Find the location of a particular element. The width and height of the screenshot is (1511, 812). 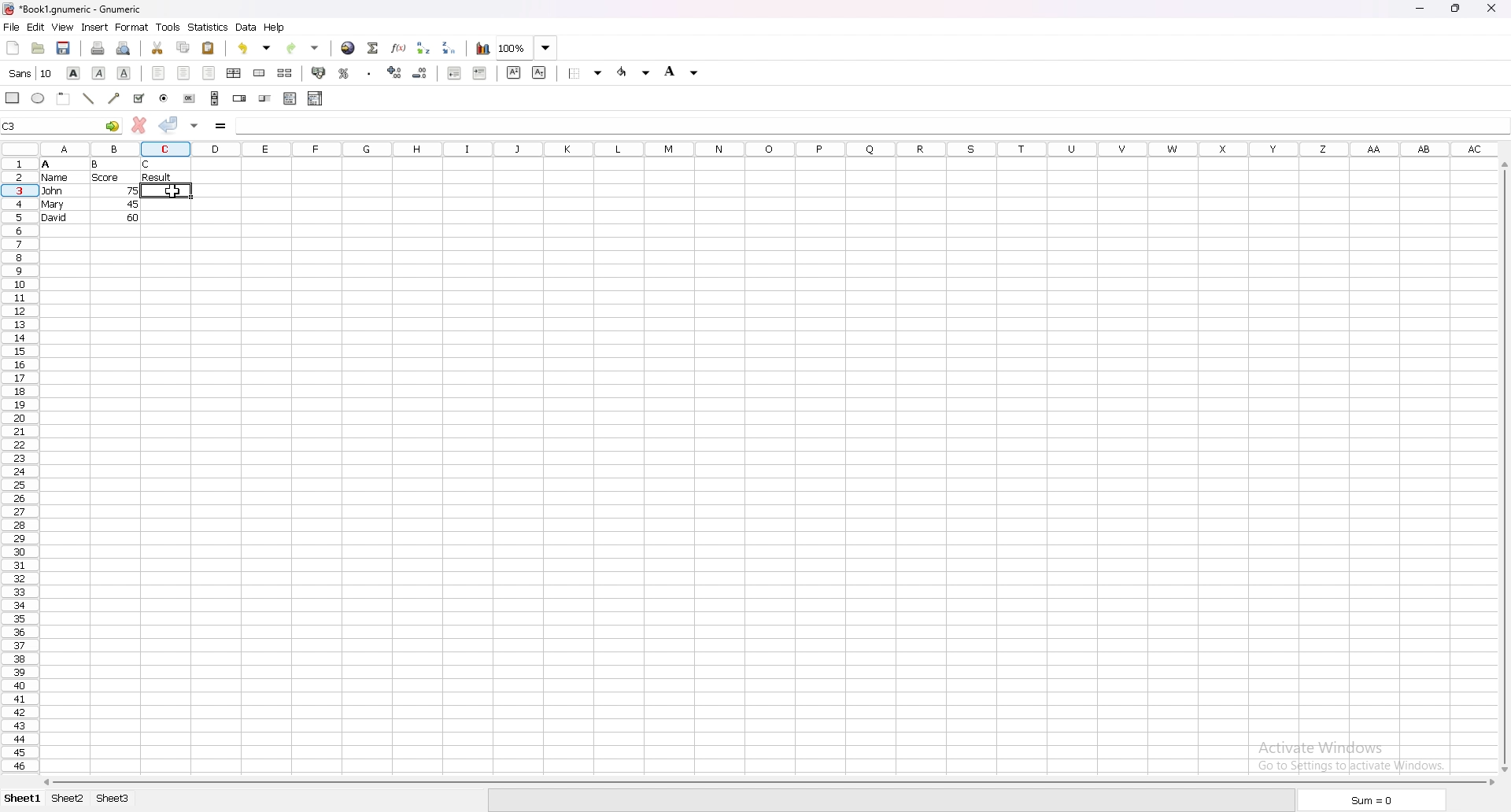

copy is located at coordinates (184, 47).